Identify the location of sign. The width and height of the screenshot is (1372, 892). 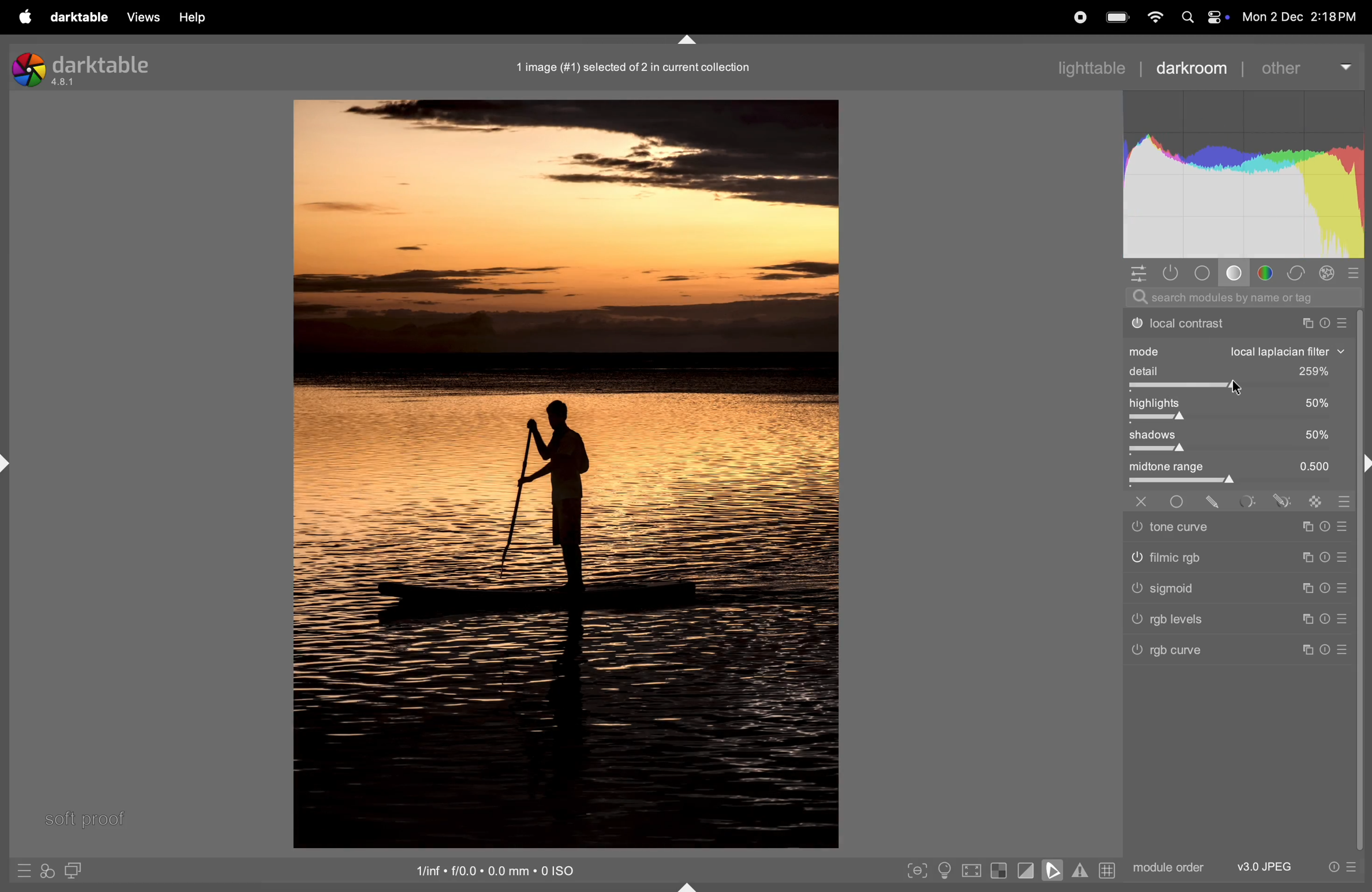
(1314, 504).